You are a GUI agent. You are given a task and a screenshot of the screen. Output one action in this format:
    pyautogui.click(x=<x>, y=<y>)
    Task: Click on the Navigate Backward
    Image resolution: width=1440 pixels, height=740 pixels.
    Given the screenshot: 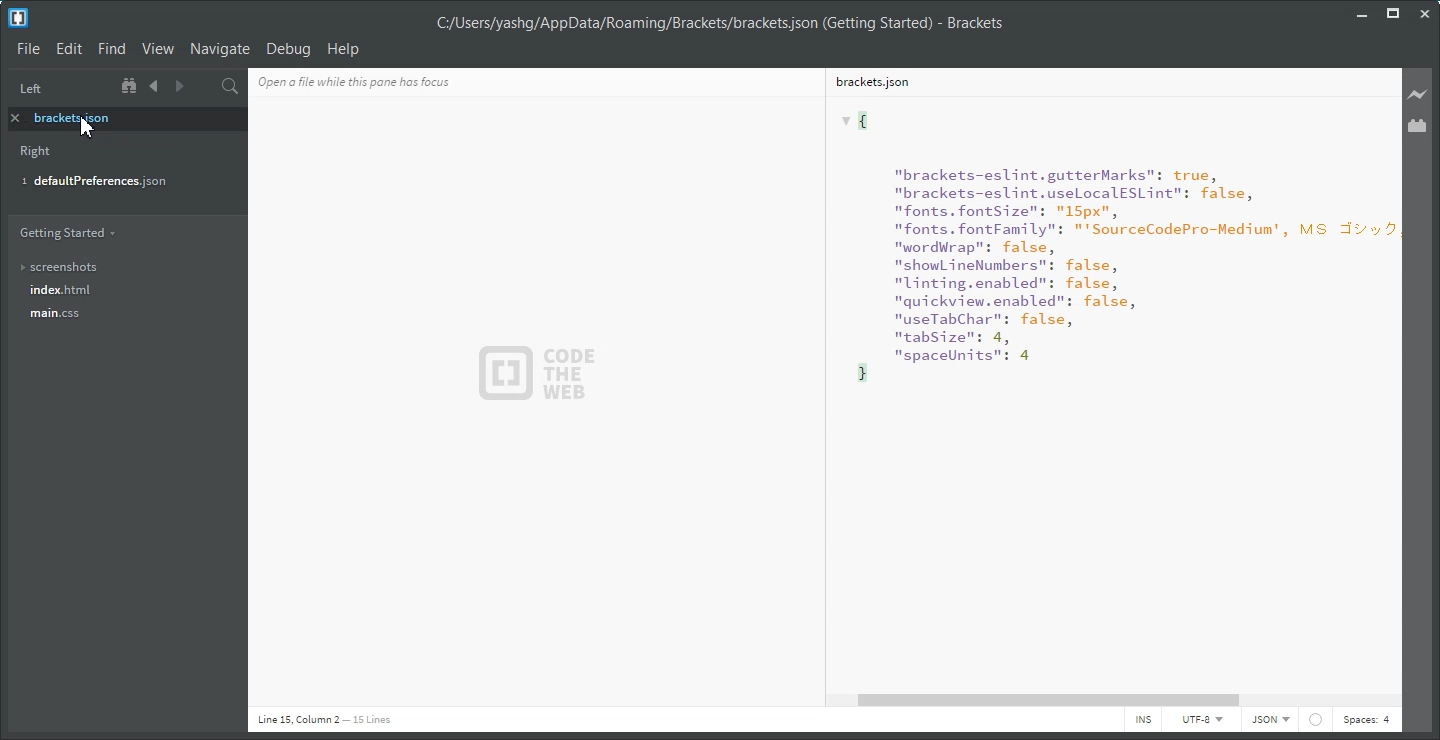 What is the action you would take?
    pyautogui.click(x=154, y=86)
    